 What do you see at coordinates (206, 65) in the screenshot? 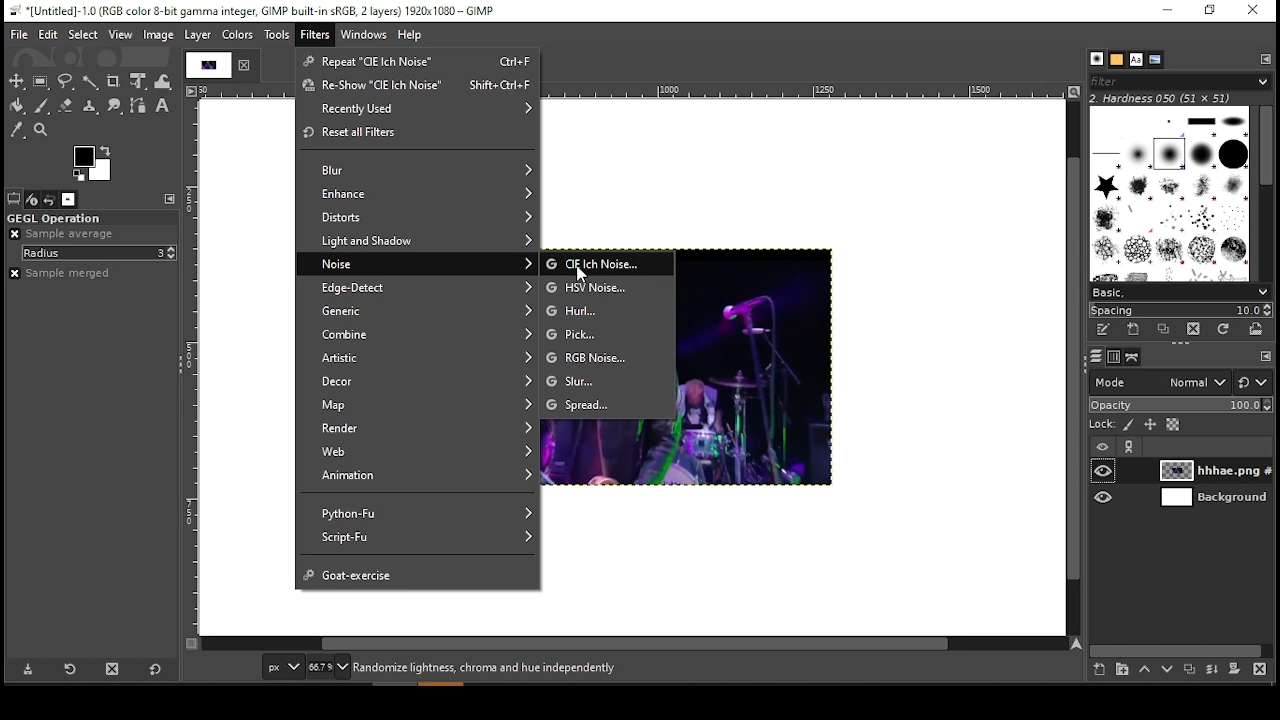
I see `tab` at bounding box center [206, 65].